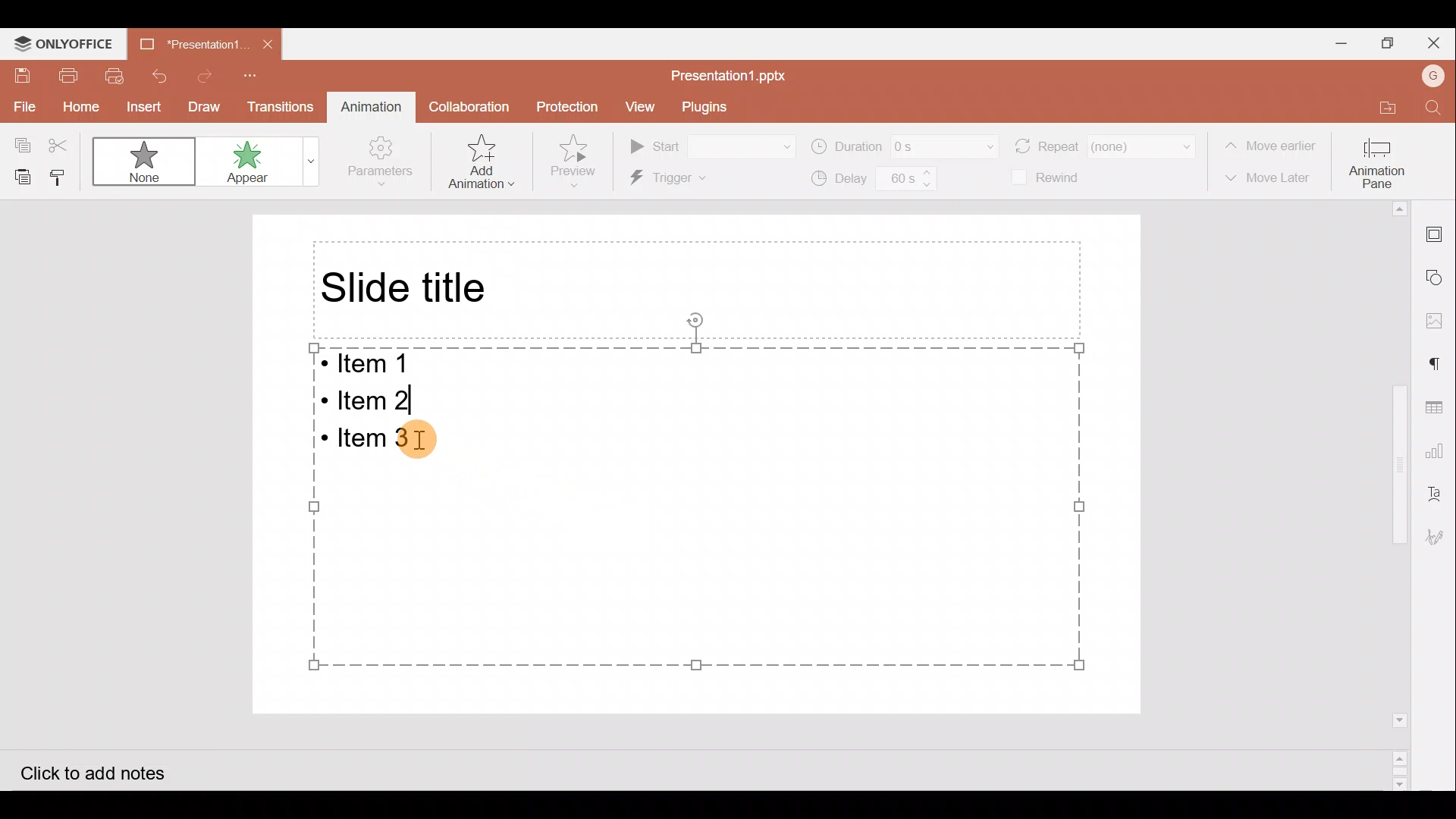  What do you see at coordinates (186, 46) in the screenshot?
I see `Presentation1.` at bounding box center [186, 46].